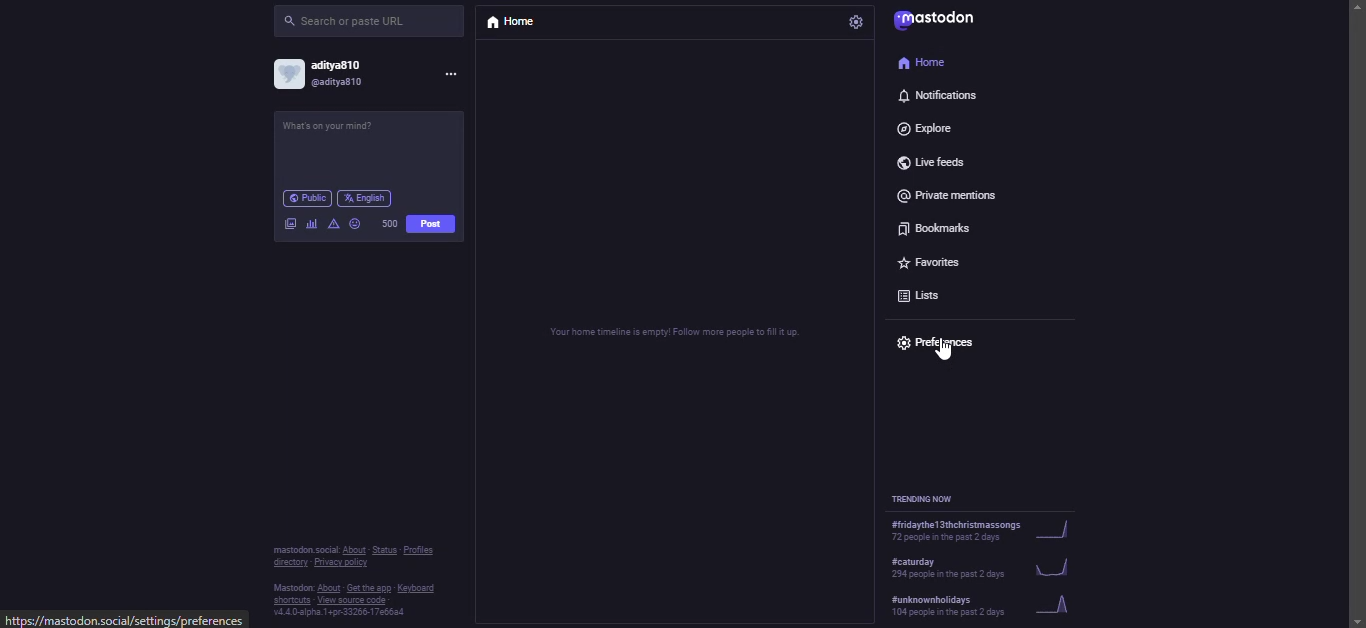 Image resolution: width=1366 pixels, height=628 pixels. I want to click on home timeline, so click(673, 328).